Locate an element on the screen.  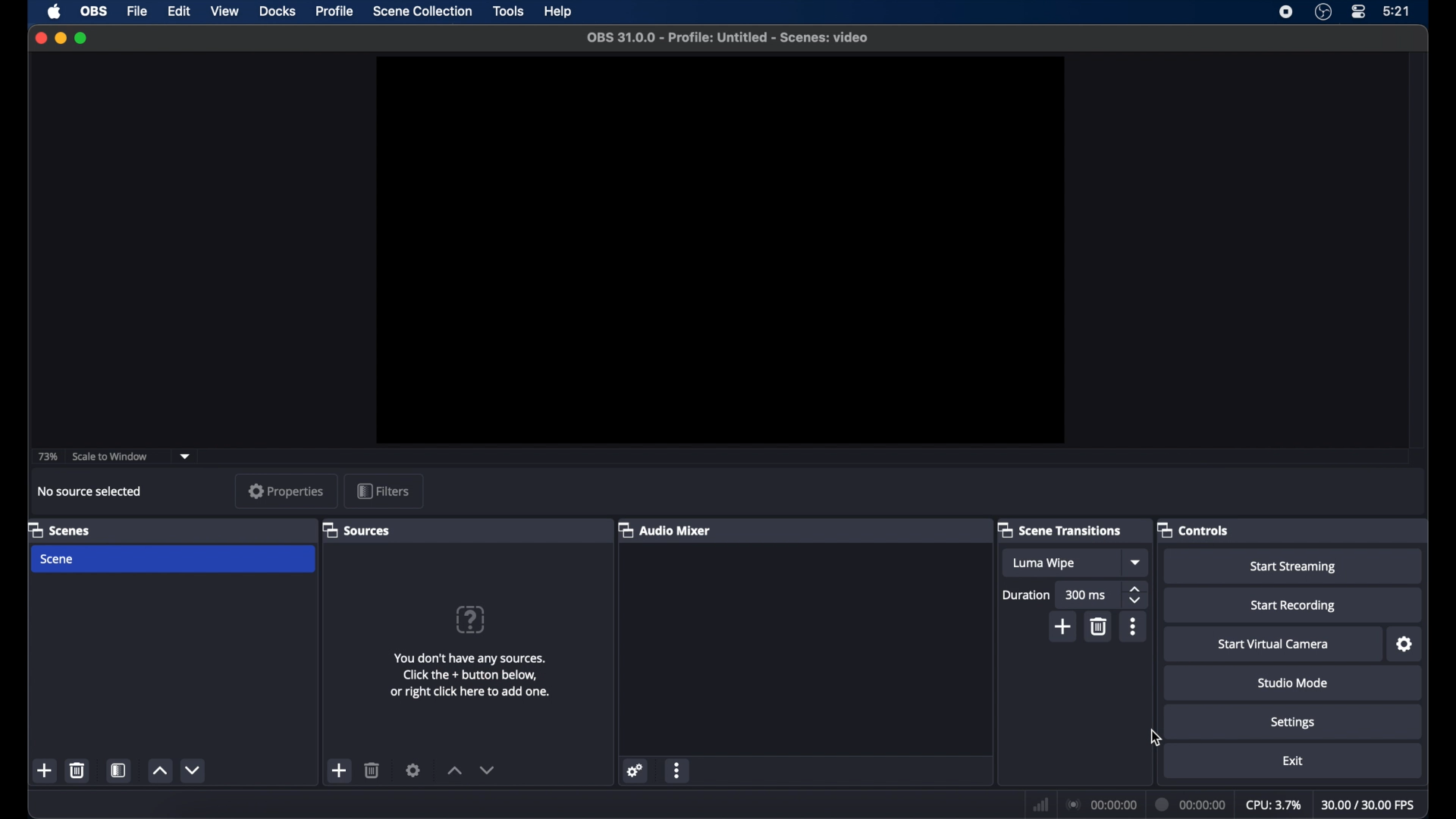
luma wipe is located at coordinates (1043, 563).